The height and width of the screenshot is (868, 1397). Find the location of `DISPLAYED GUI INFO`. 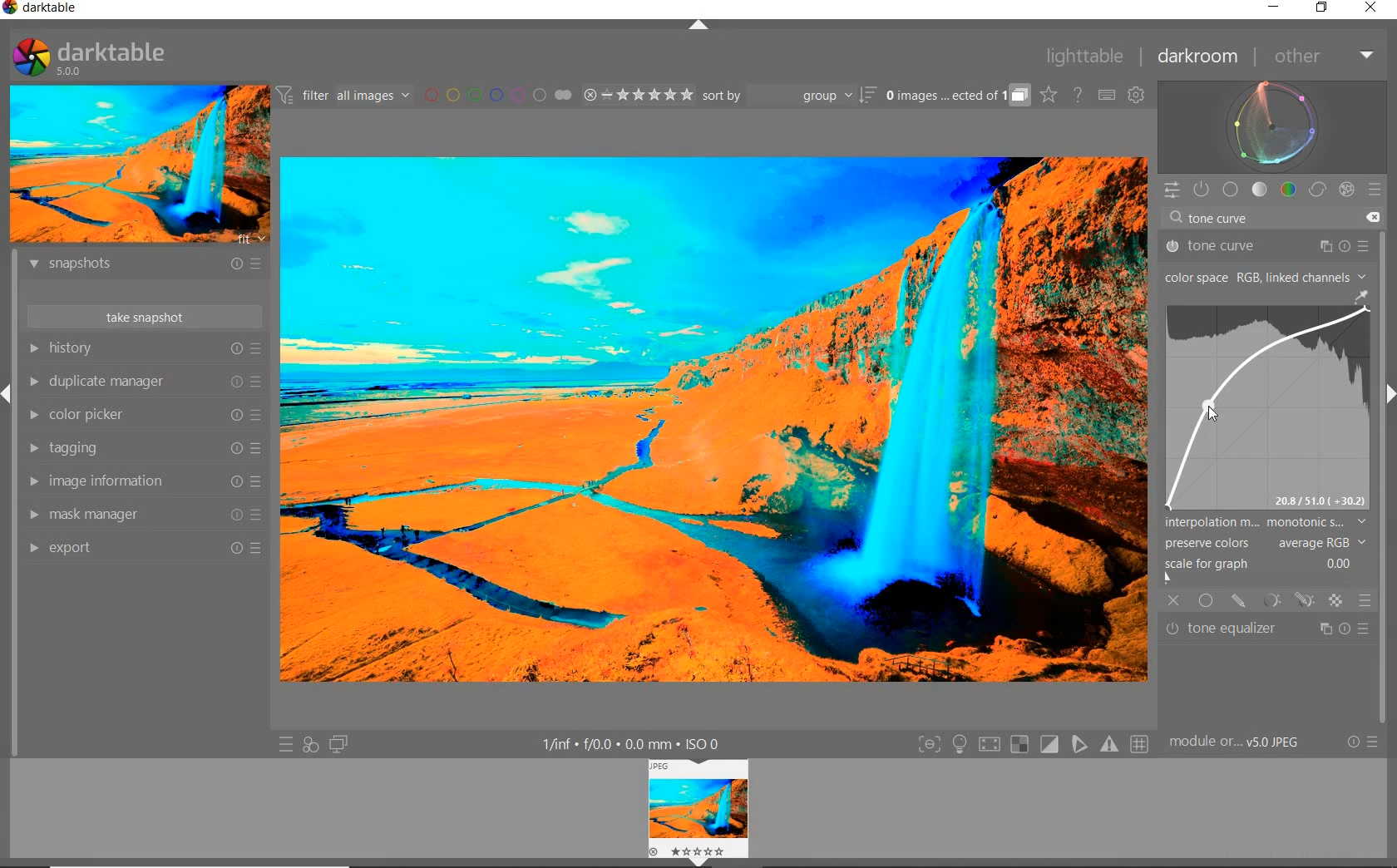

DISPLAYED GUI INFO is located at coordinates (635, 743).